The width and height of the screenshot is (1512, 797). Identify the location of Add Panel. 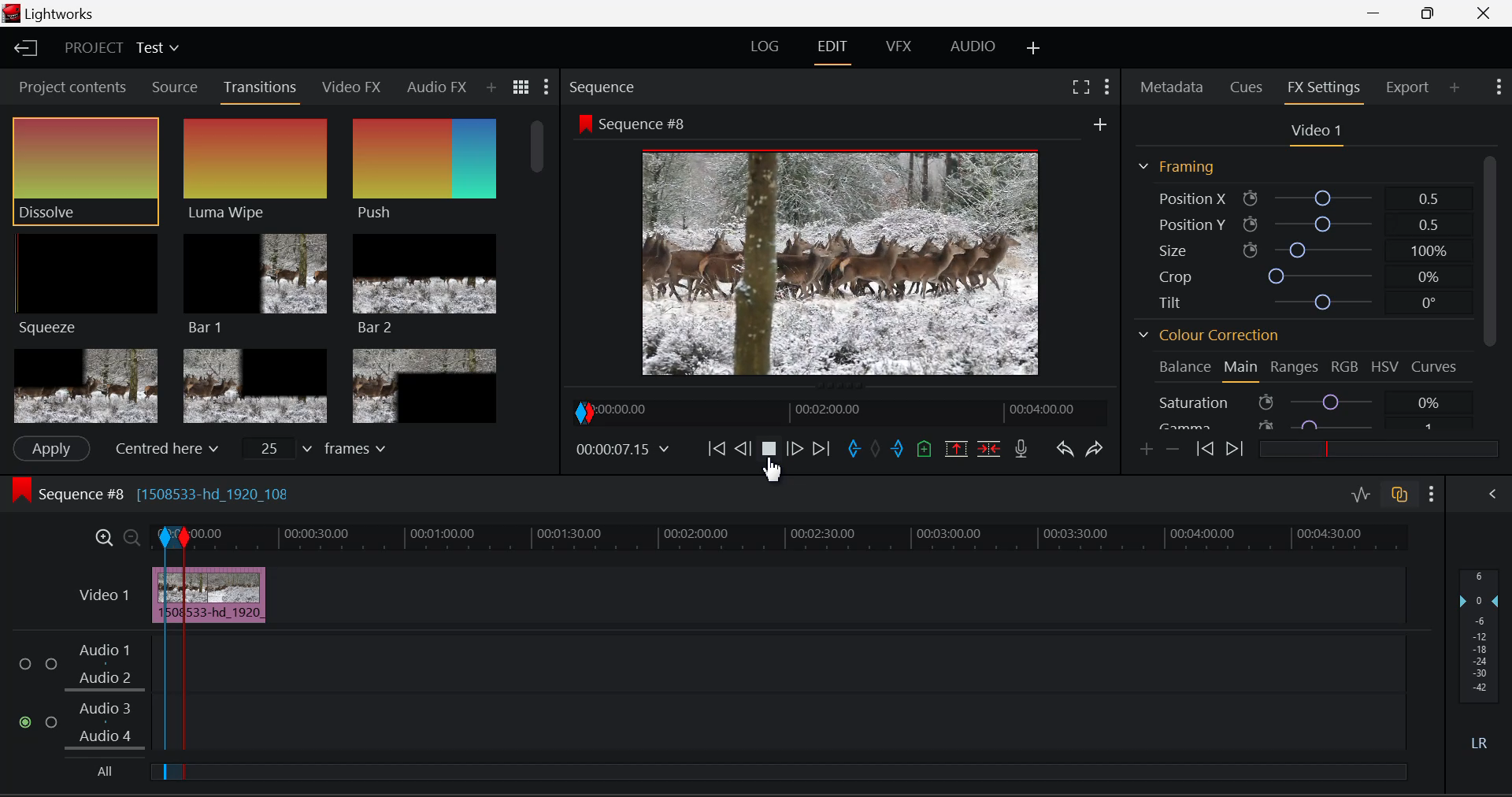
(1455, 88).